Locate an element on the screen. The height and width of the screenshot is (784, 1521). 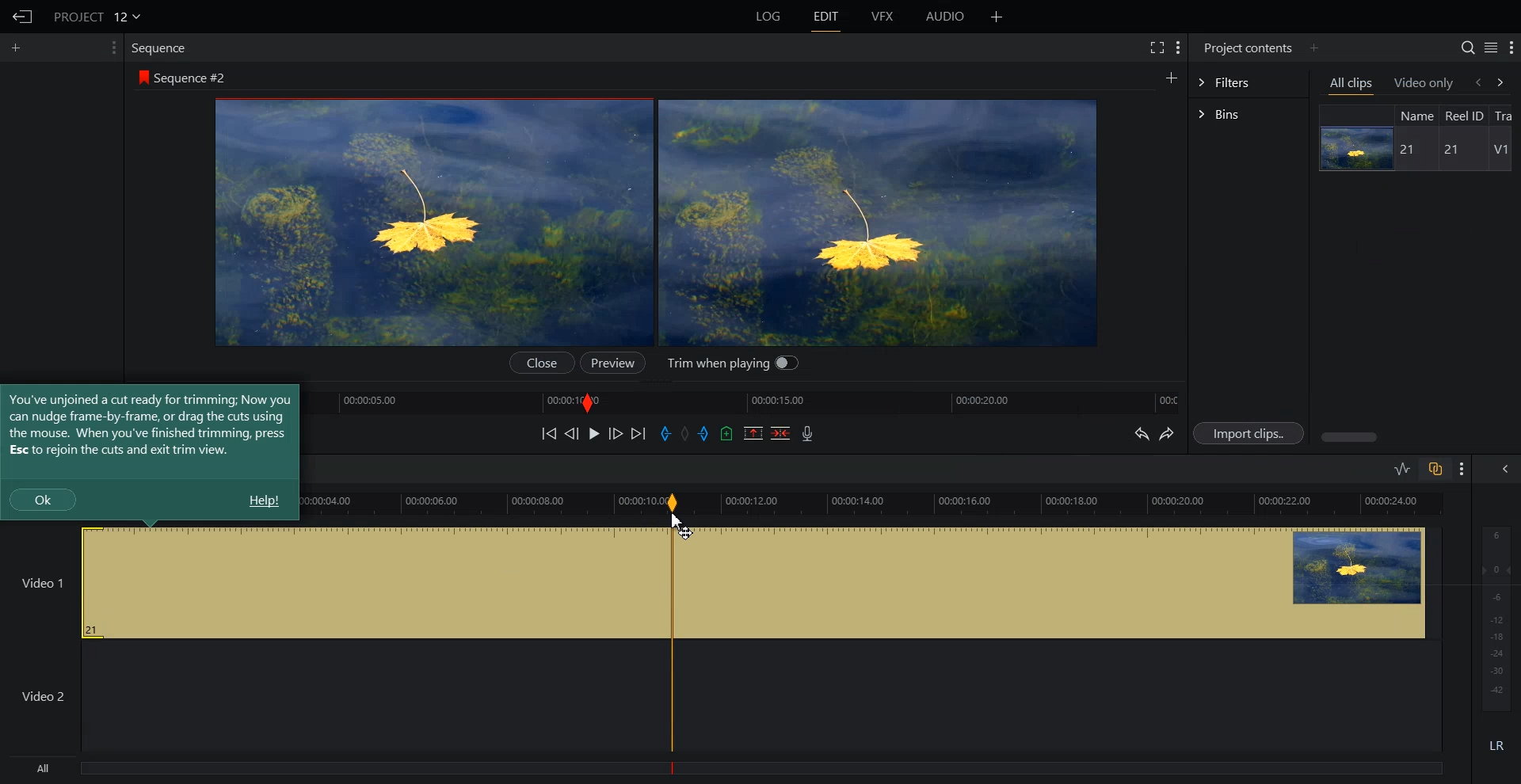
Show Setting Menu is located at coordinates (1179, 49).